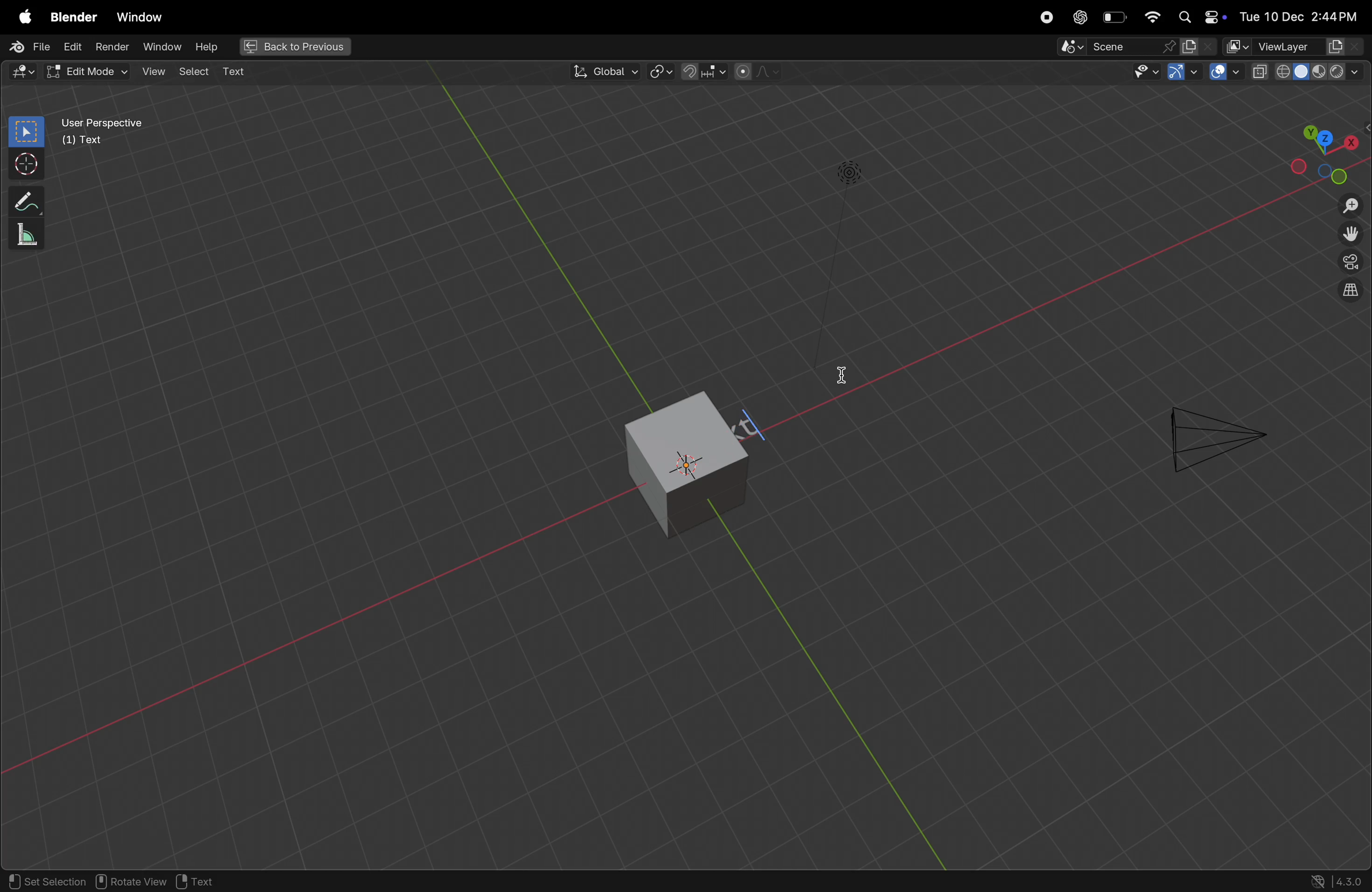 This screenshot has width=1372, height=892. What do you see at coordinates (72, 18) in the screenshot?
I see `Blender` at bounding box center [72, 18].